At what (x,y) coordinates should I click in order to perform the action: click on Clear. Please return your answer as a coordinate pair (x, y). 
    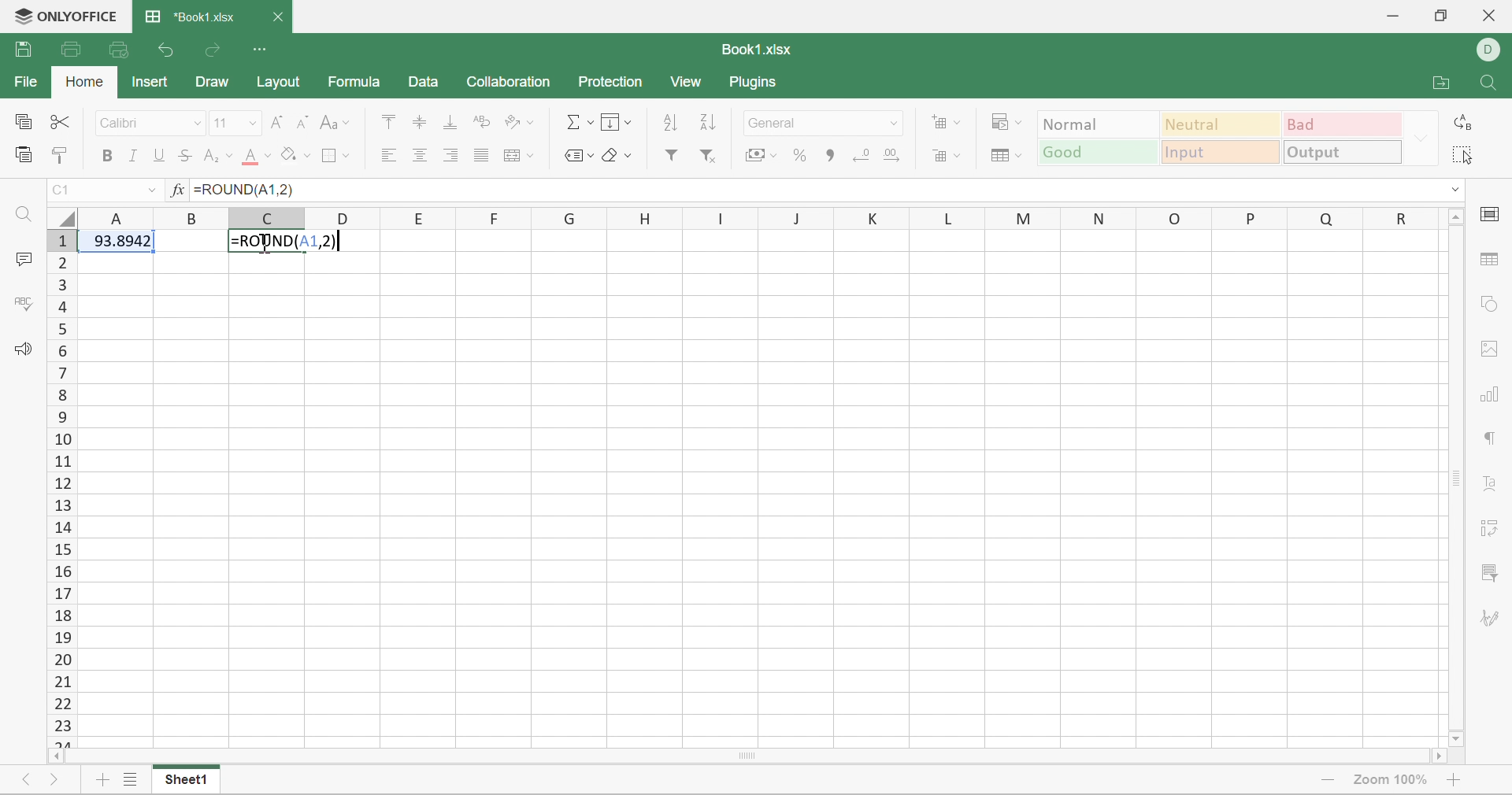
    Looking at the image, I should click on (617, 156).